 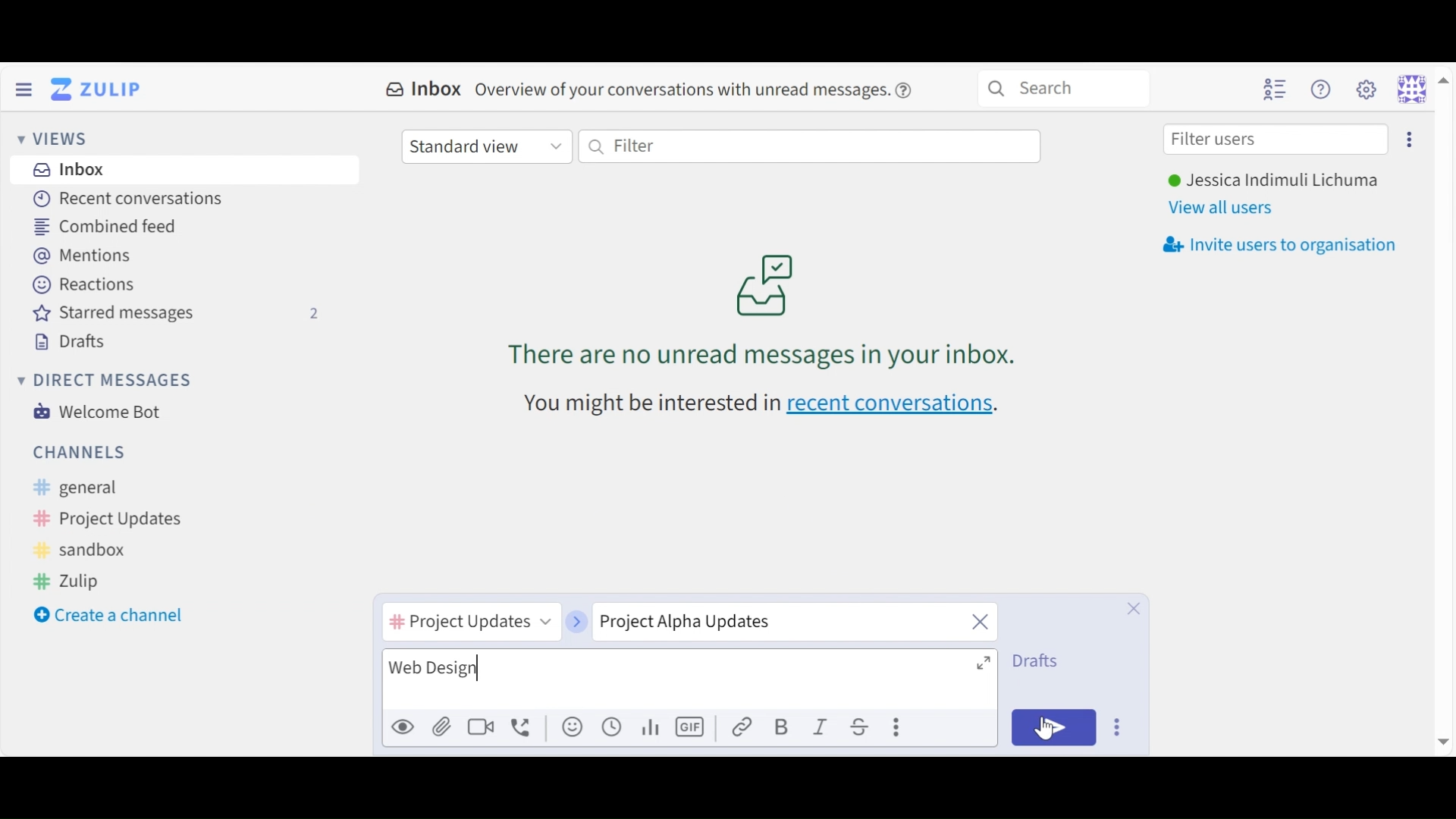 What do you see at coordinates (908, 90) in the screenshot?
I see `help` at bounding box center [908, 90].